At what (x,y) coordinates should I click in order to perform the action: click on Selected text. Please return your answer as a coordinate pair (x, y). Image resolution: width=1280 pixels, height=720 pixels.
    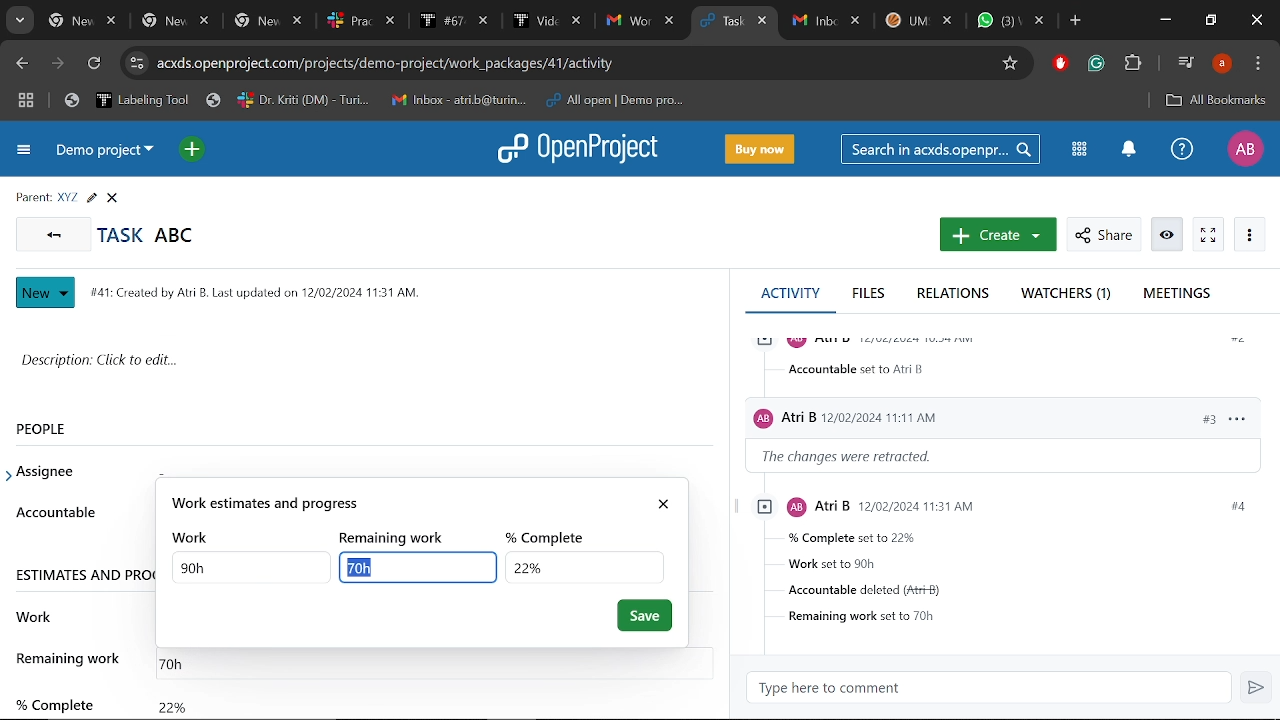
    Looking at the image, I should click on (415, 566).